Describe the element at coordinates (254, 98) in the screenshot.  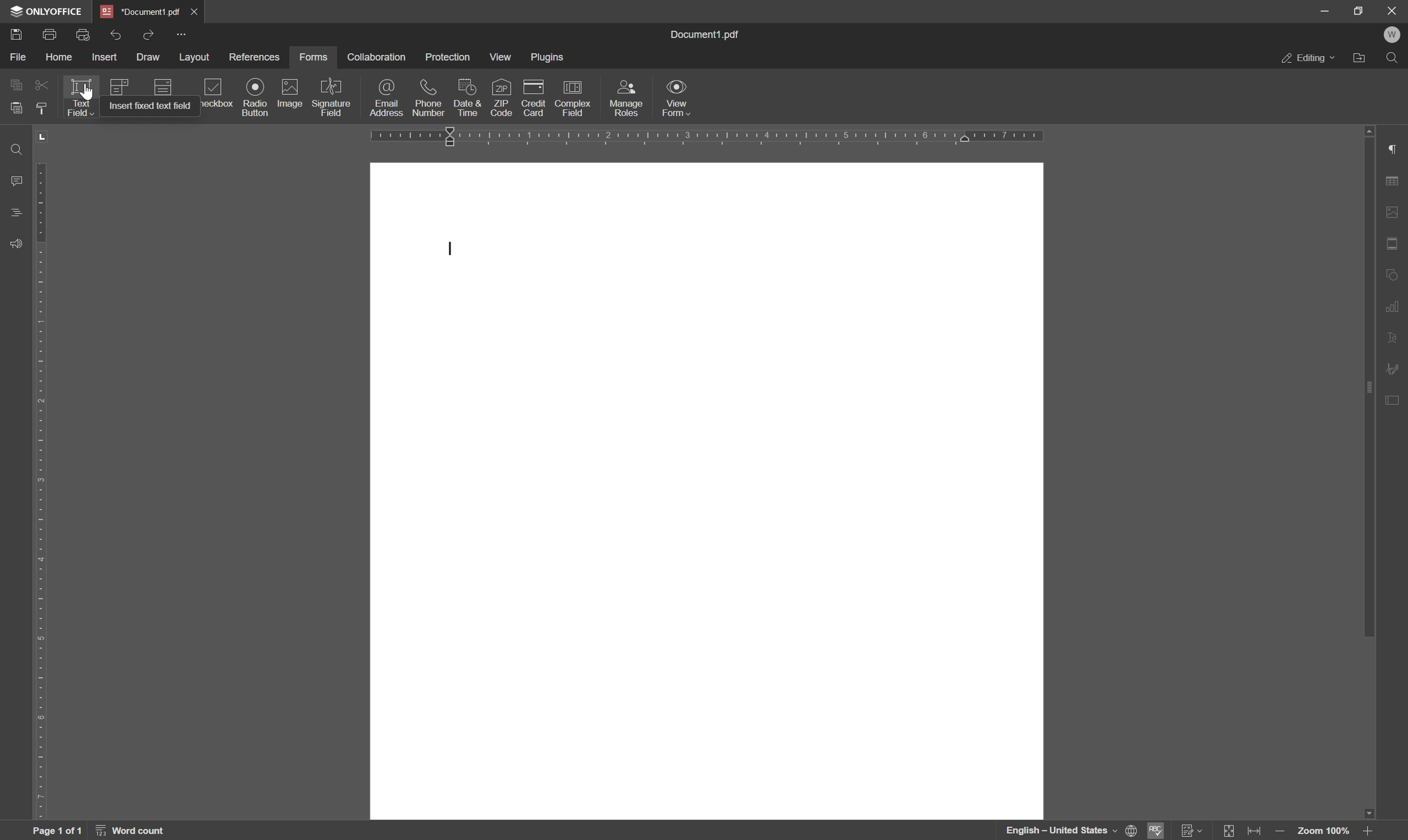
I see `radio button` at that location.